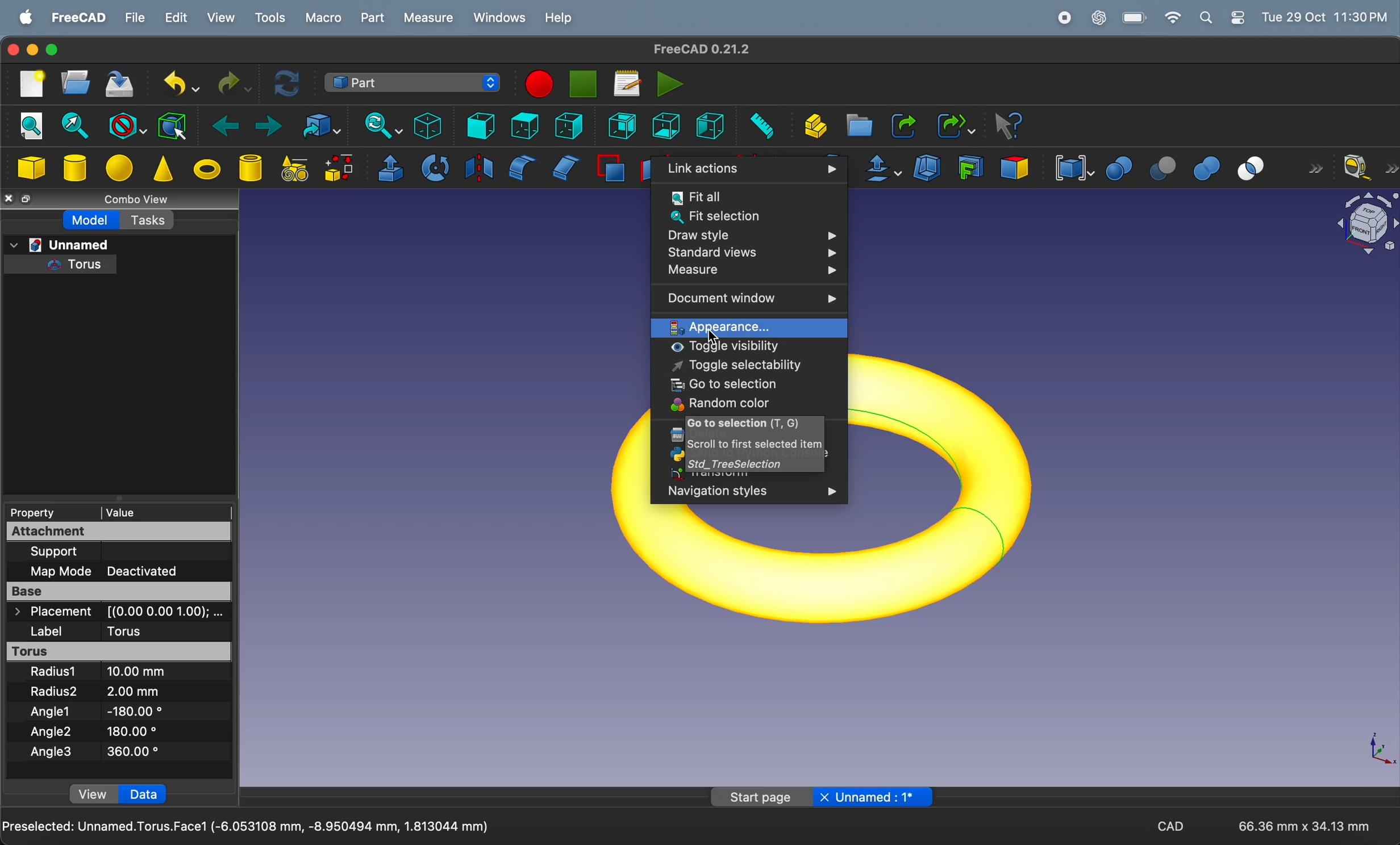 The image size is (1400, 845). I want to click on measure, so click(429, 19).